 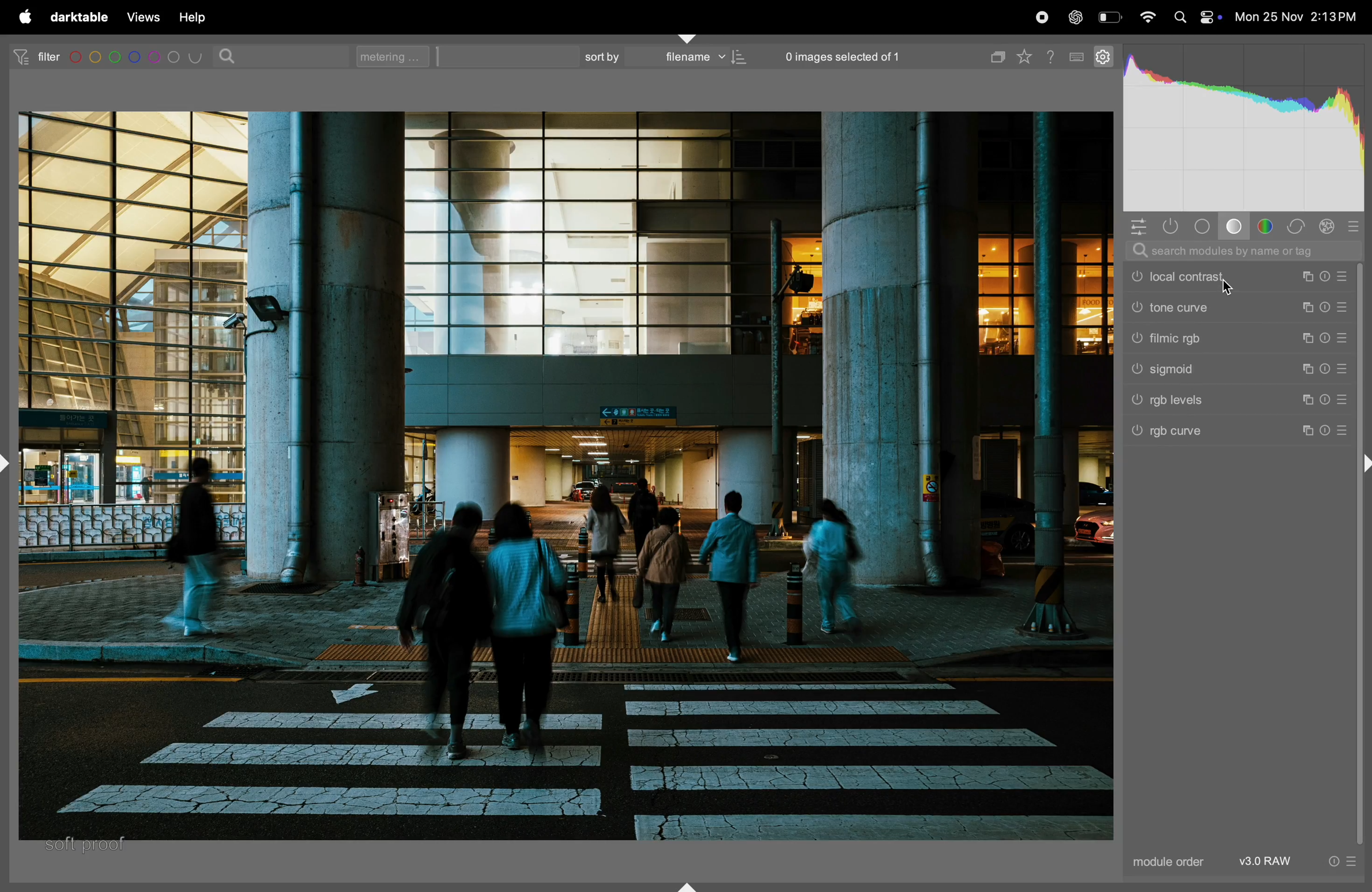 I want to click on searchbar, so click(x=1240, y=251).